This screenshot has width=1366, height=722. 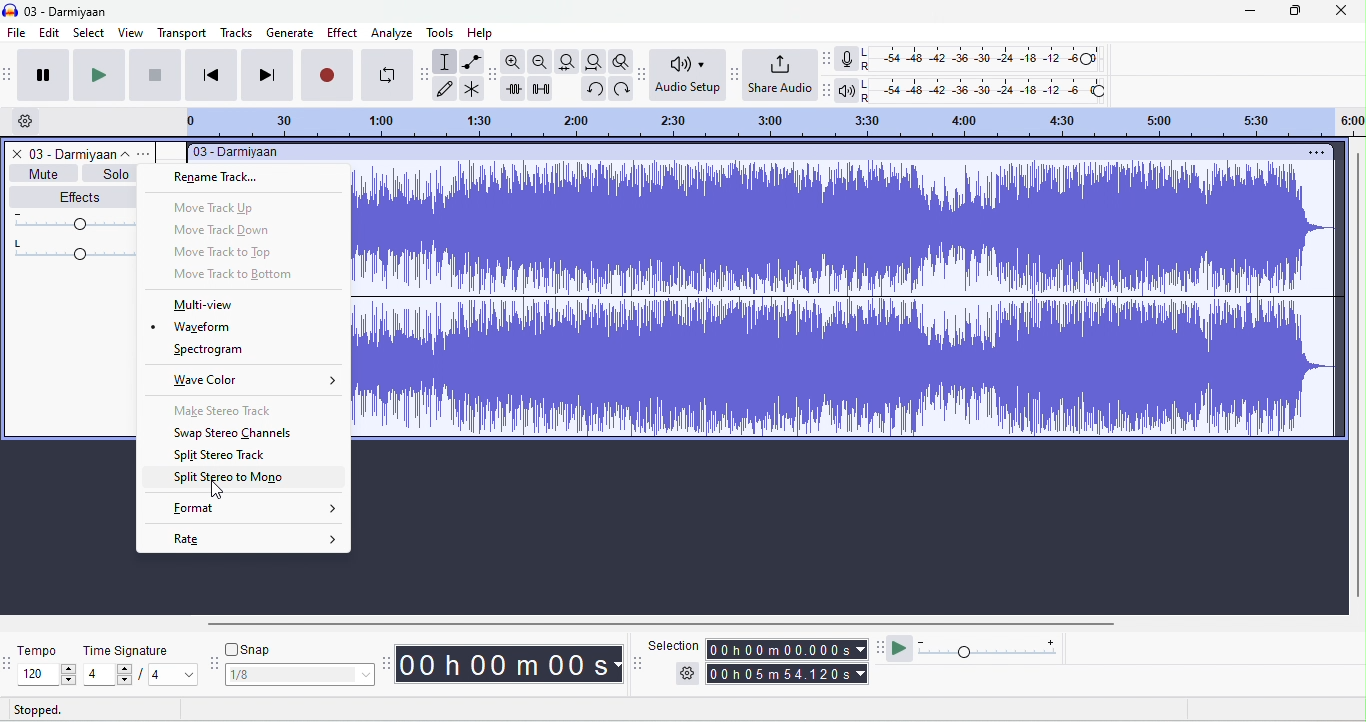 What do you see at coordinates (90, 32) in the screenshot?
I see `select` at bounding box center [90, 32].